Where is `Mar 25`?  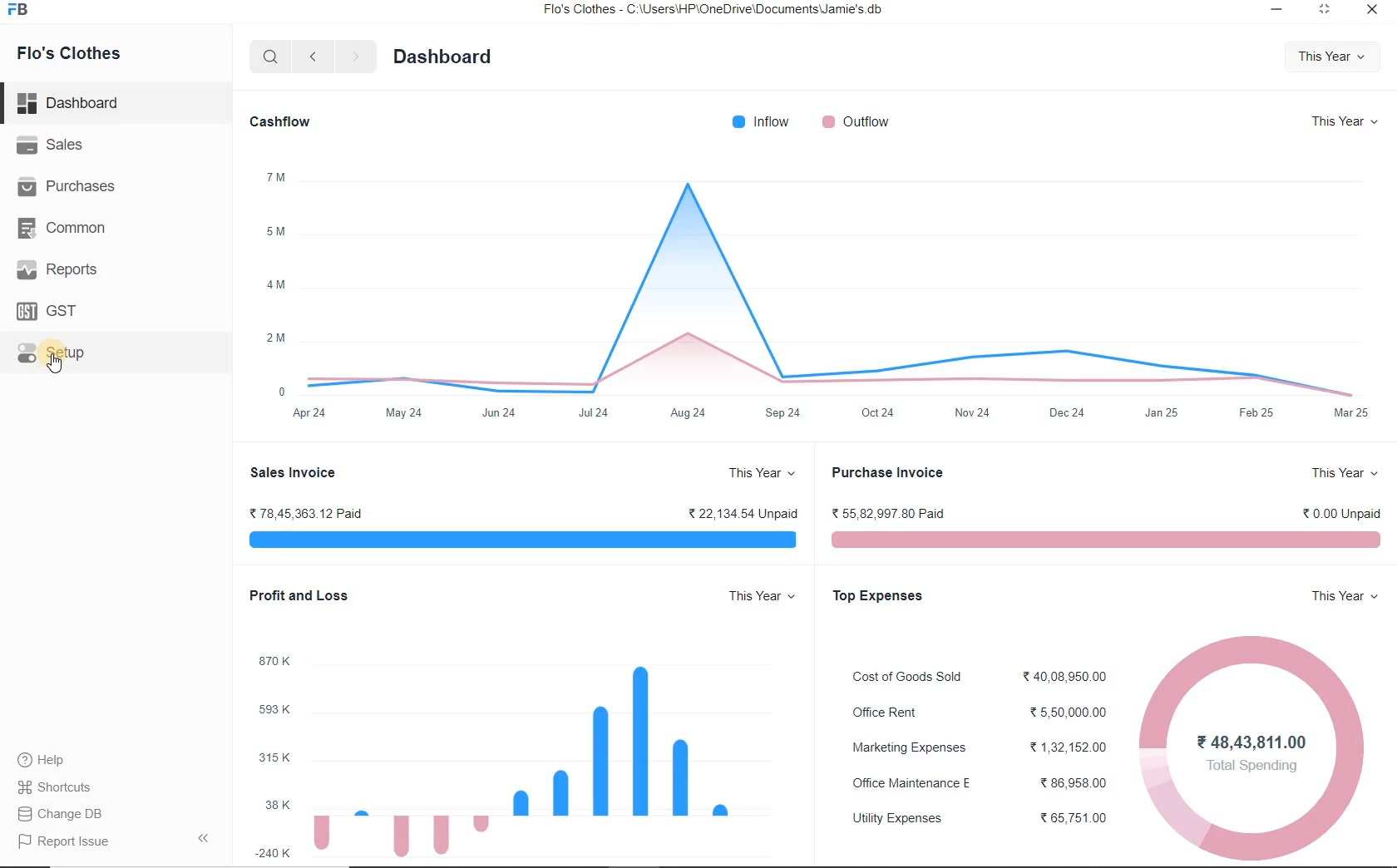 Mar 25 is located at coordinates (1348, 413).